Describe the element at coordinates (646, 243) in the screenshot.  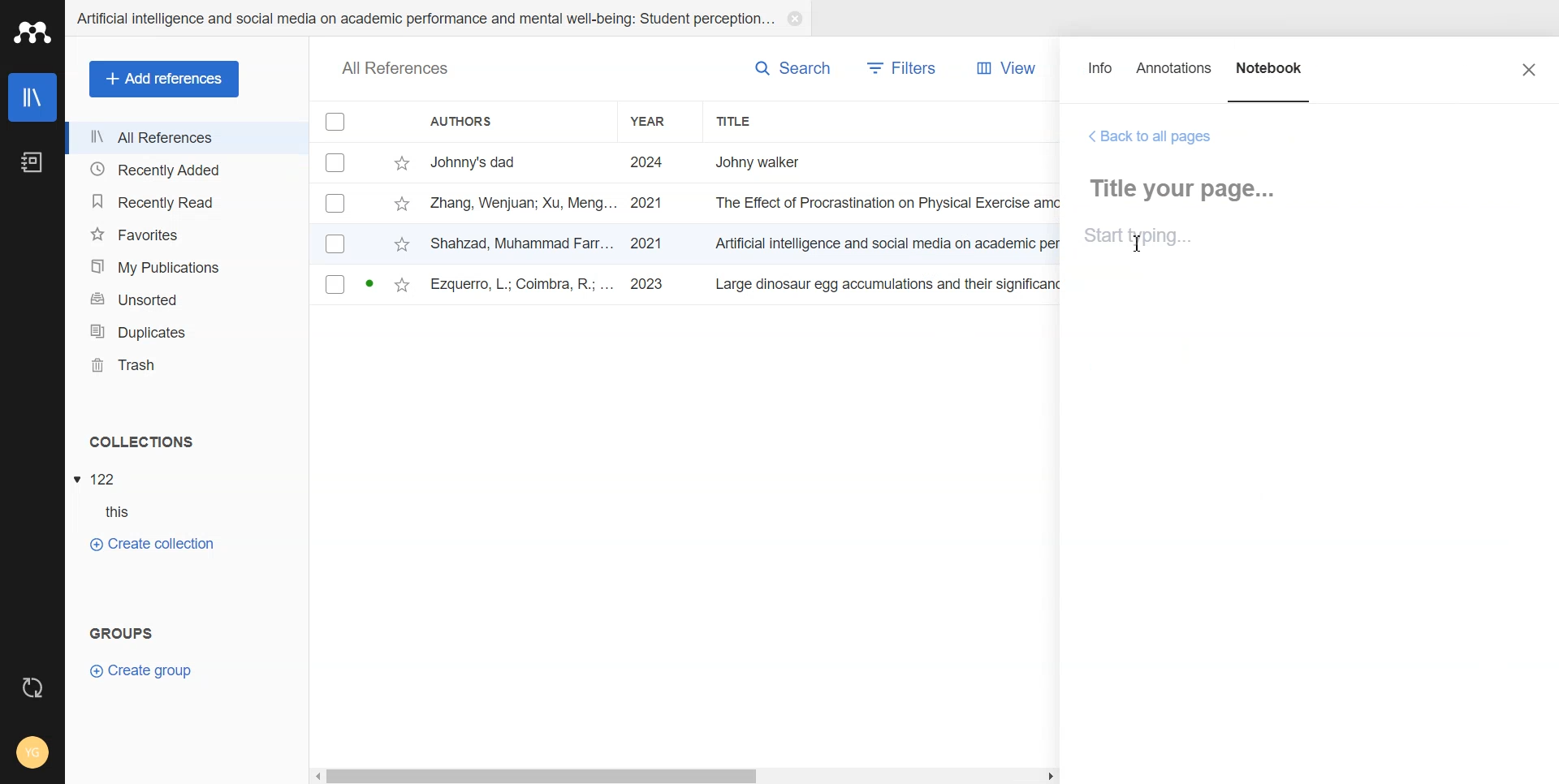
I see `2021` at that location.